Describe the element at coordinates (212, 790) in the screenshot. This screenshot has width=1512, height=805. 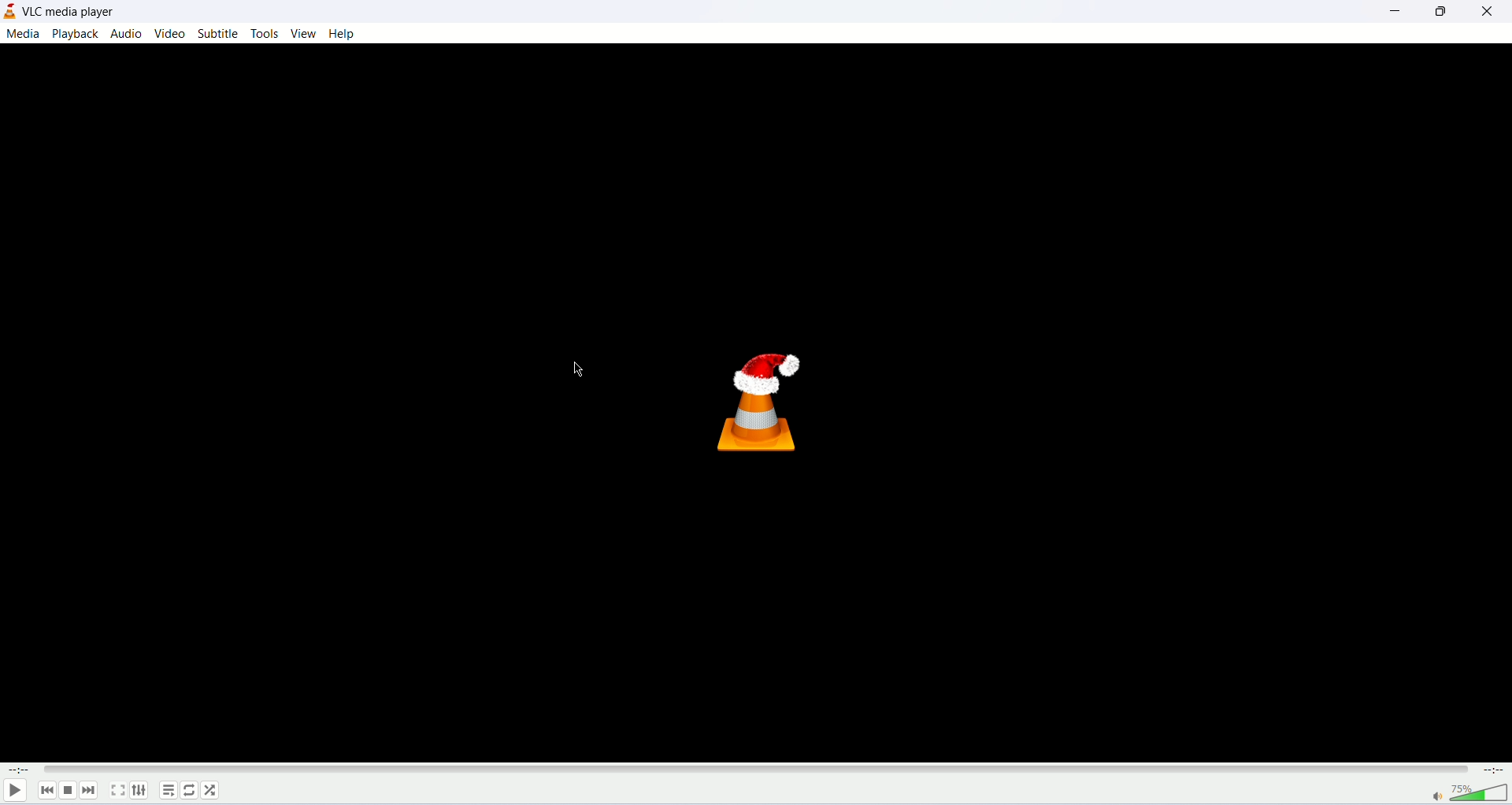
I see `shuffle` at that location.